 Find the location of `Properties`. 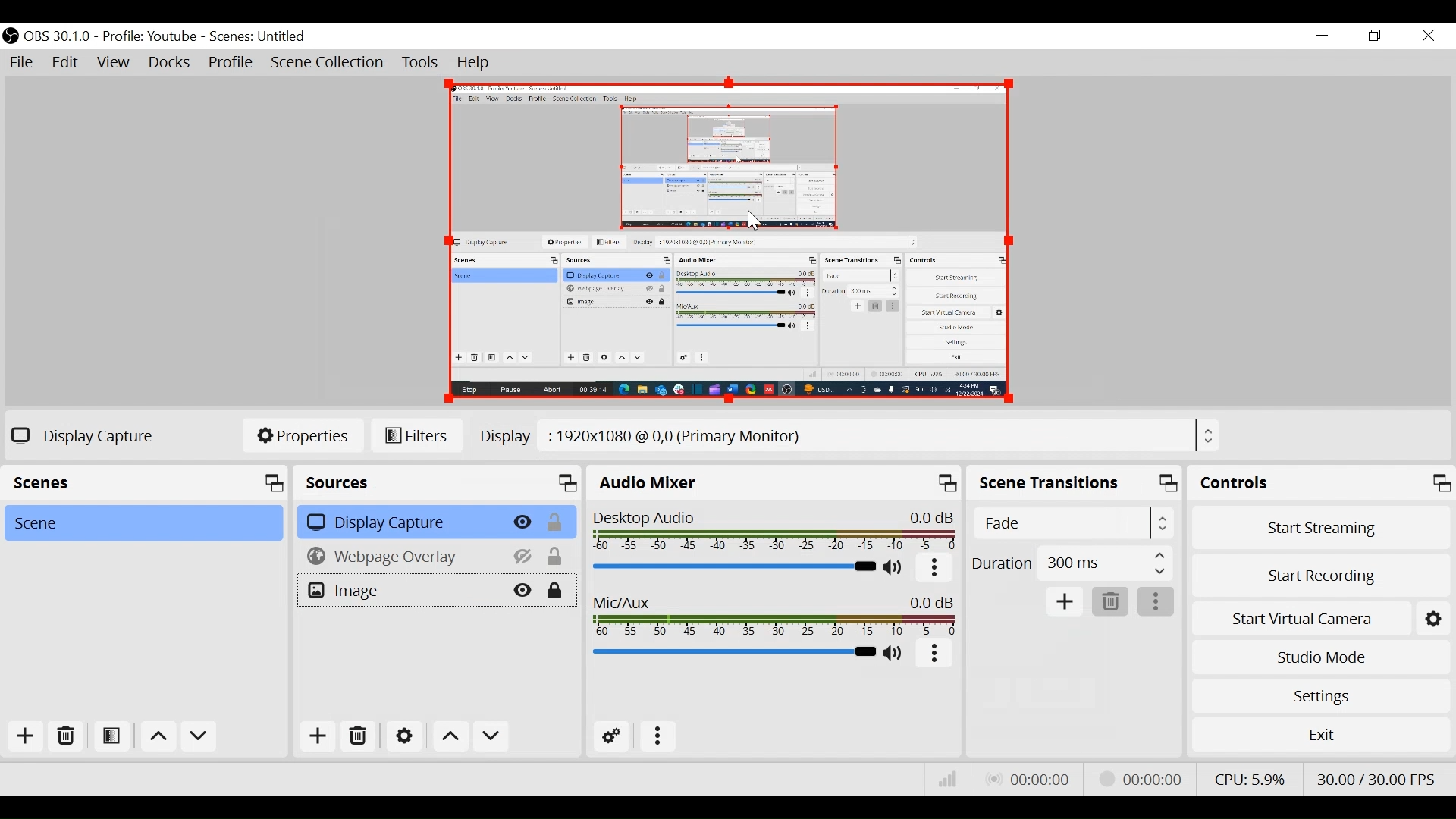

Properties is located at coordinates (303, 435).